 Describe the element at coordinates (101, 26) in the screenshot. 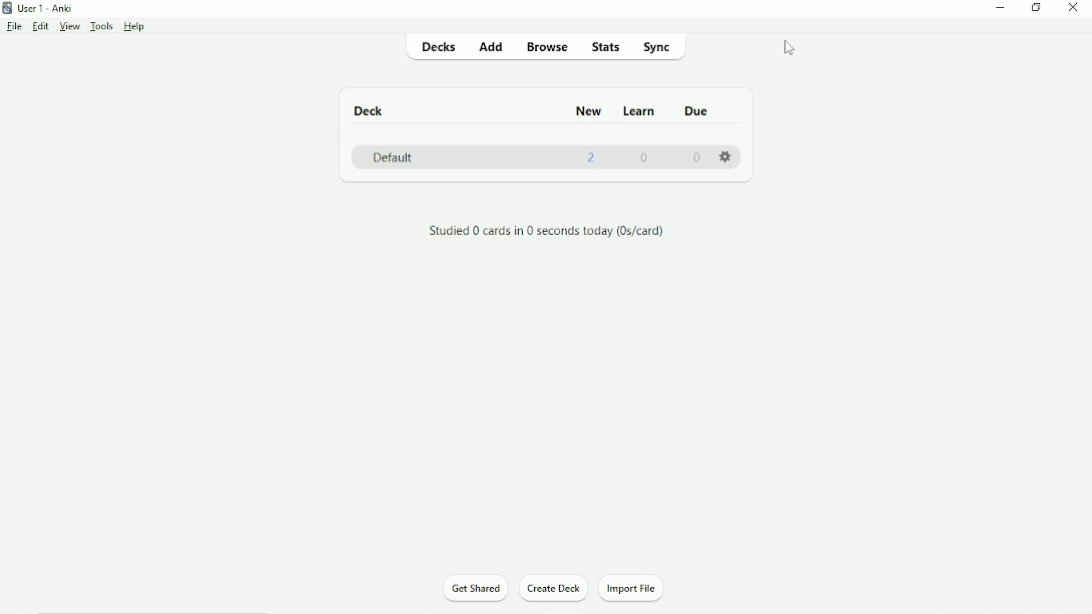

I see `Tools` at that location.